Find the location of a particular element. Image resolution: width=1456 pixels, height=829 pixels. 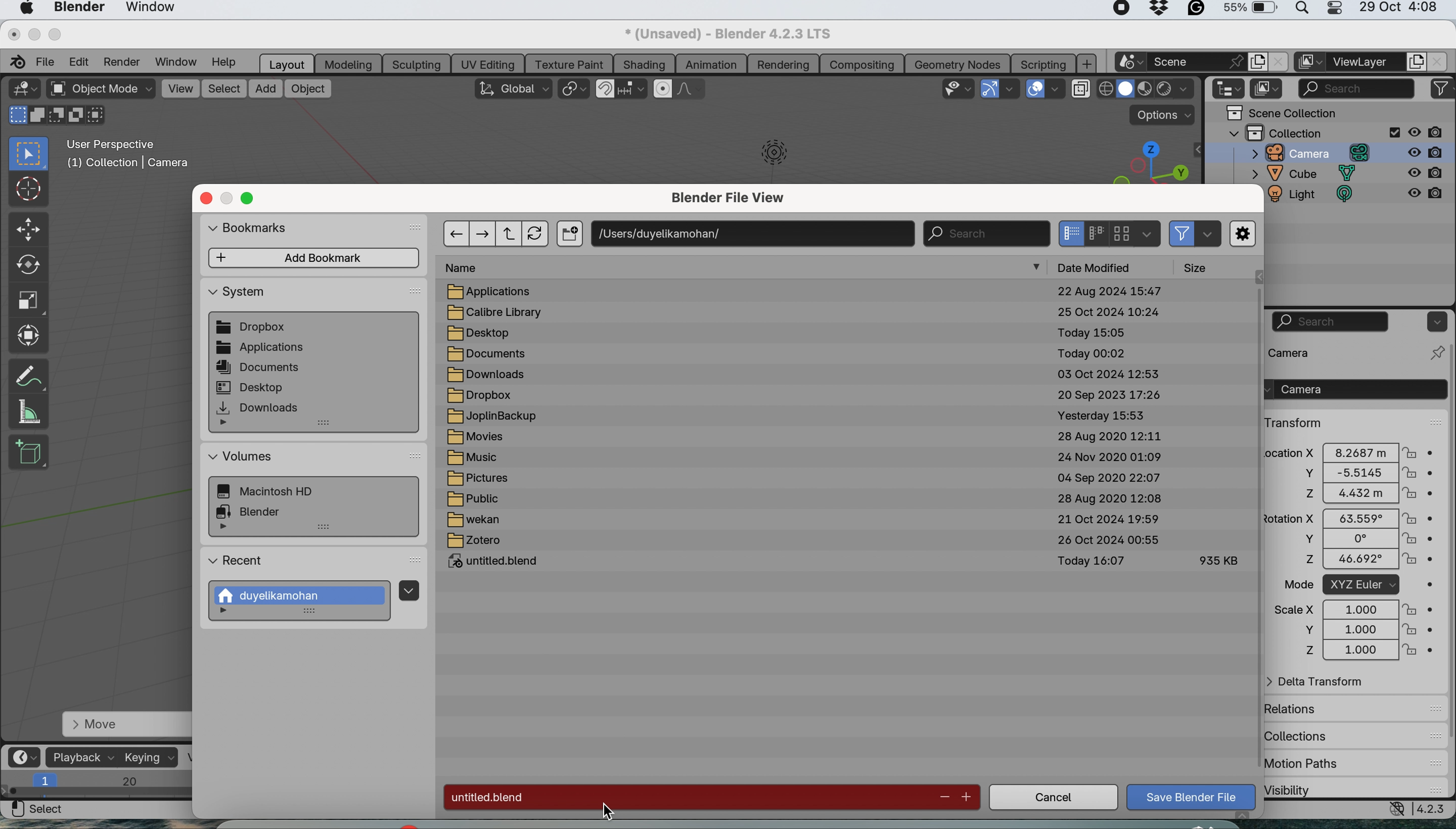

add is located at coordinates (1088, 64).